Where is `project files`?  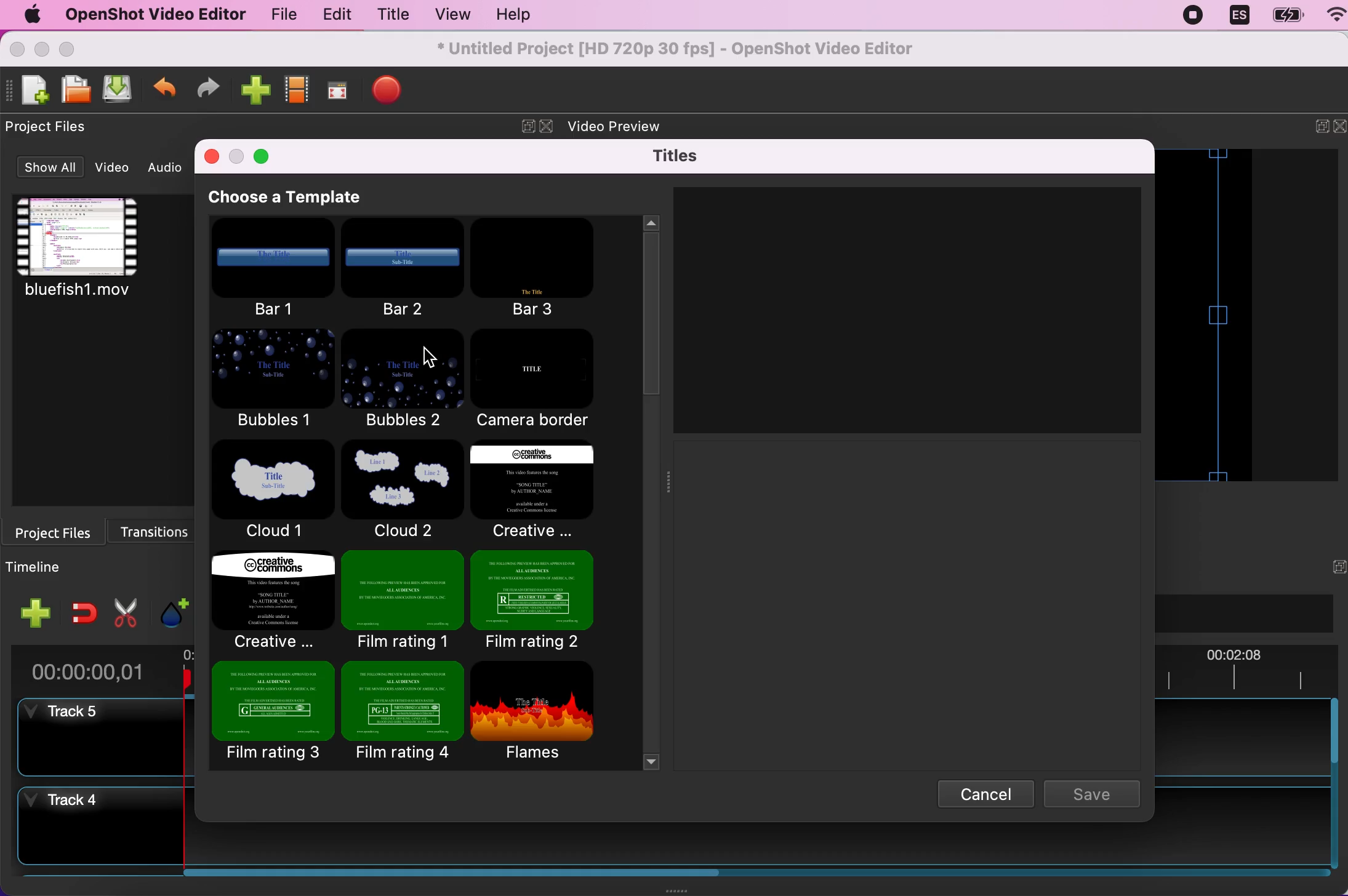 project files is located at coordinates (54, 127).